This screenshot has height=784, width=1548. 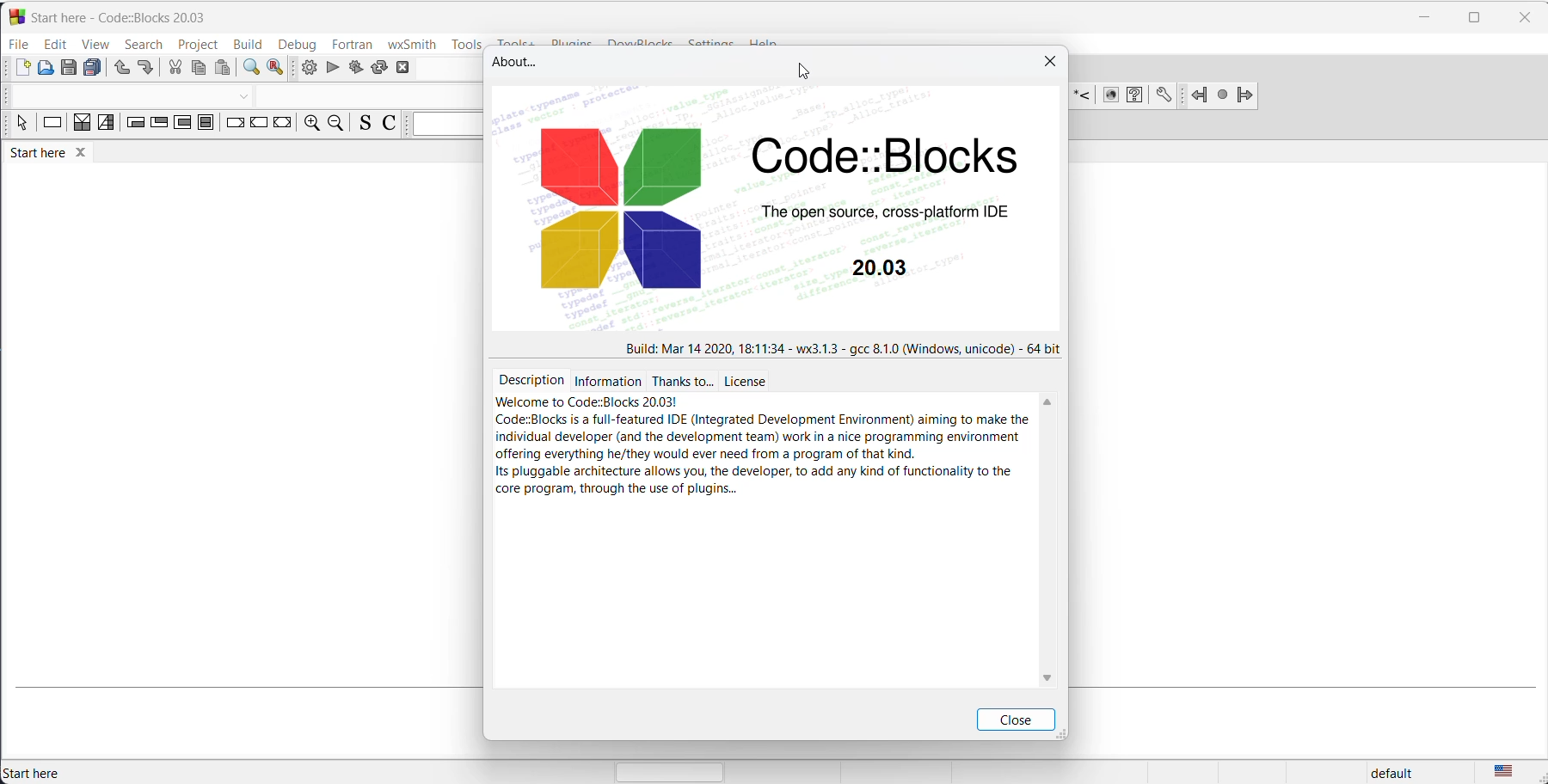 I want to click on text language, so click(x=1508, y=772).